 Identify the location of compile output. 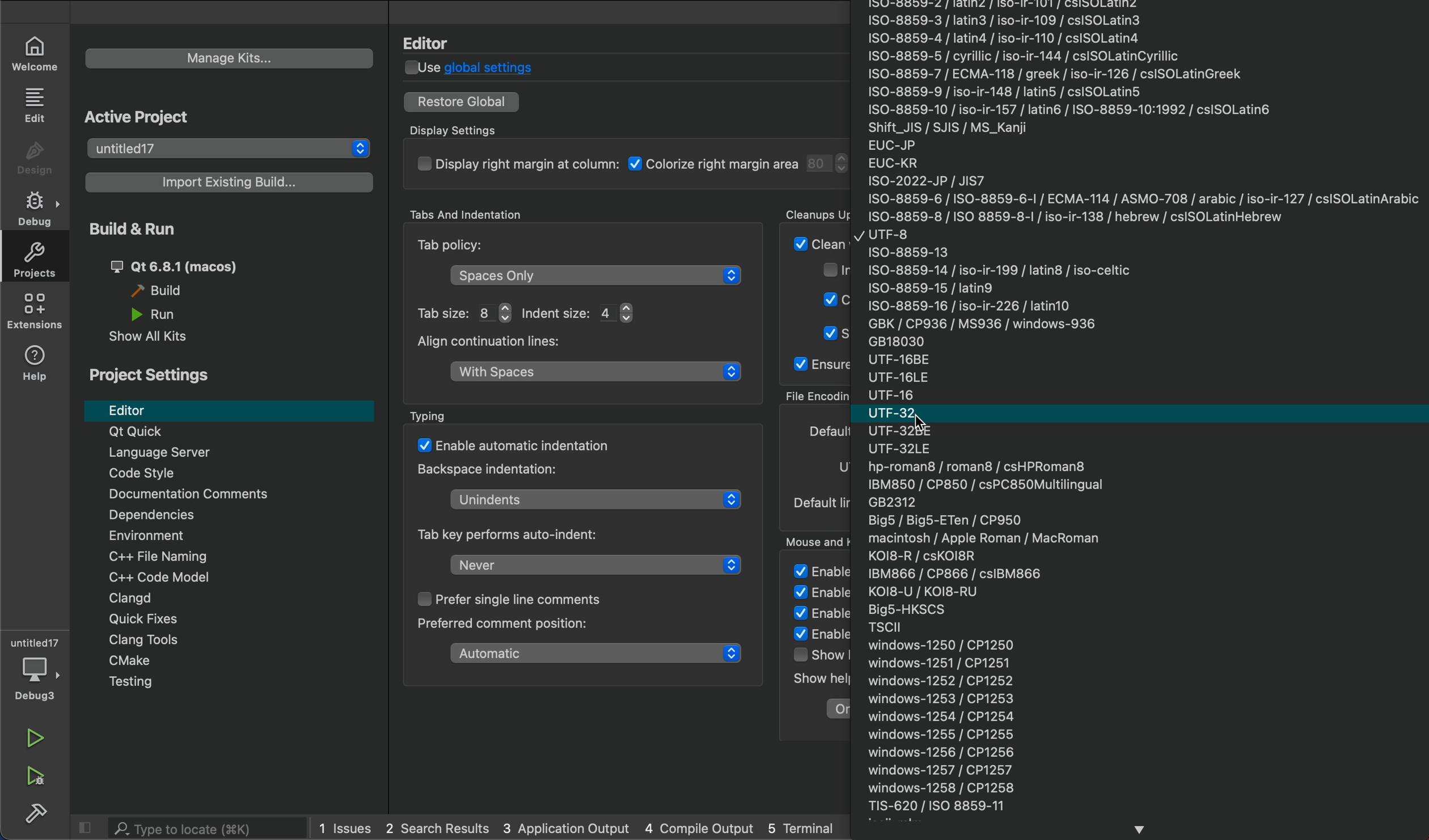
(701, 827).